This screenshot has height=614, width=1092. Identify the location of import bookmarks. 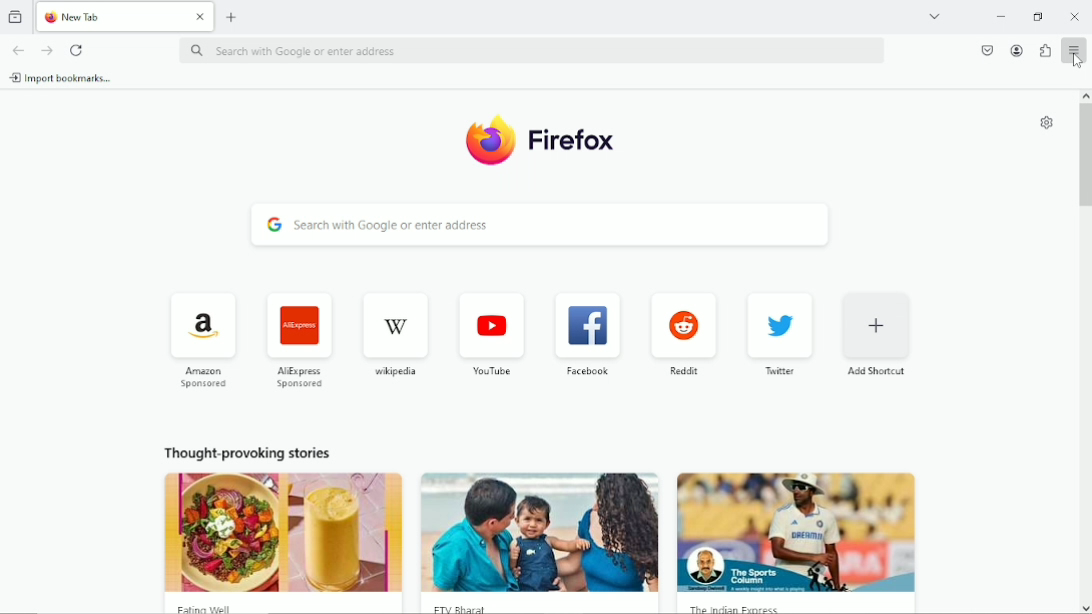
(67, 79).